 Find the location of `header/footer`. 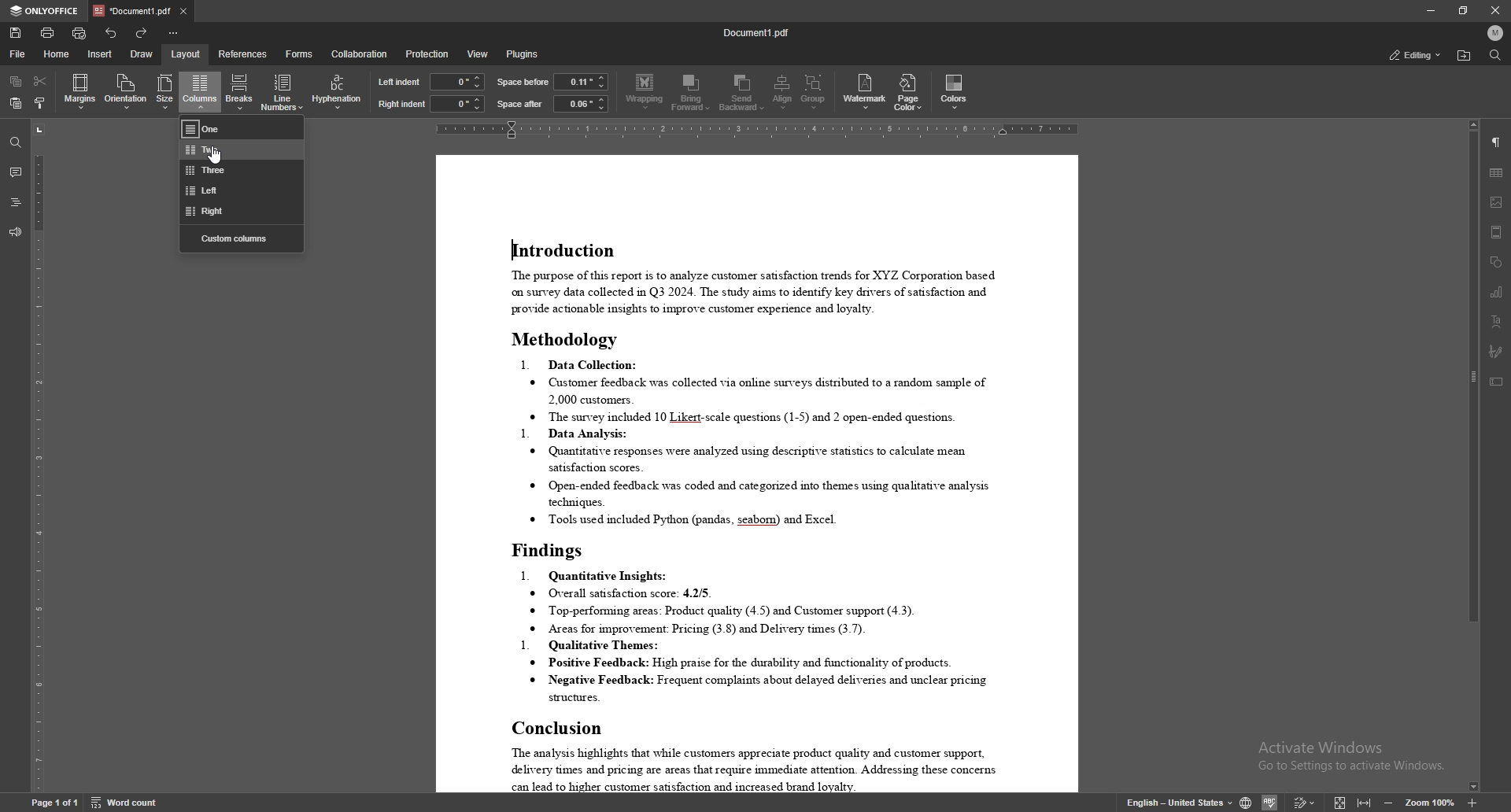

header/footer is located at coordinates (1497, 232).